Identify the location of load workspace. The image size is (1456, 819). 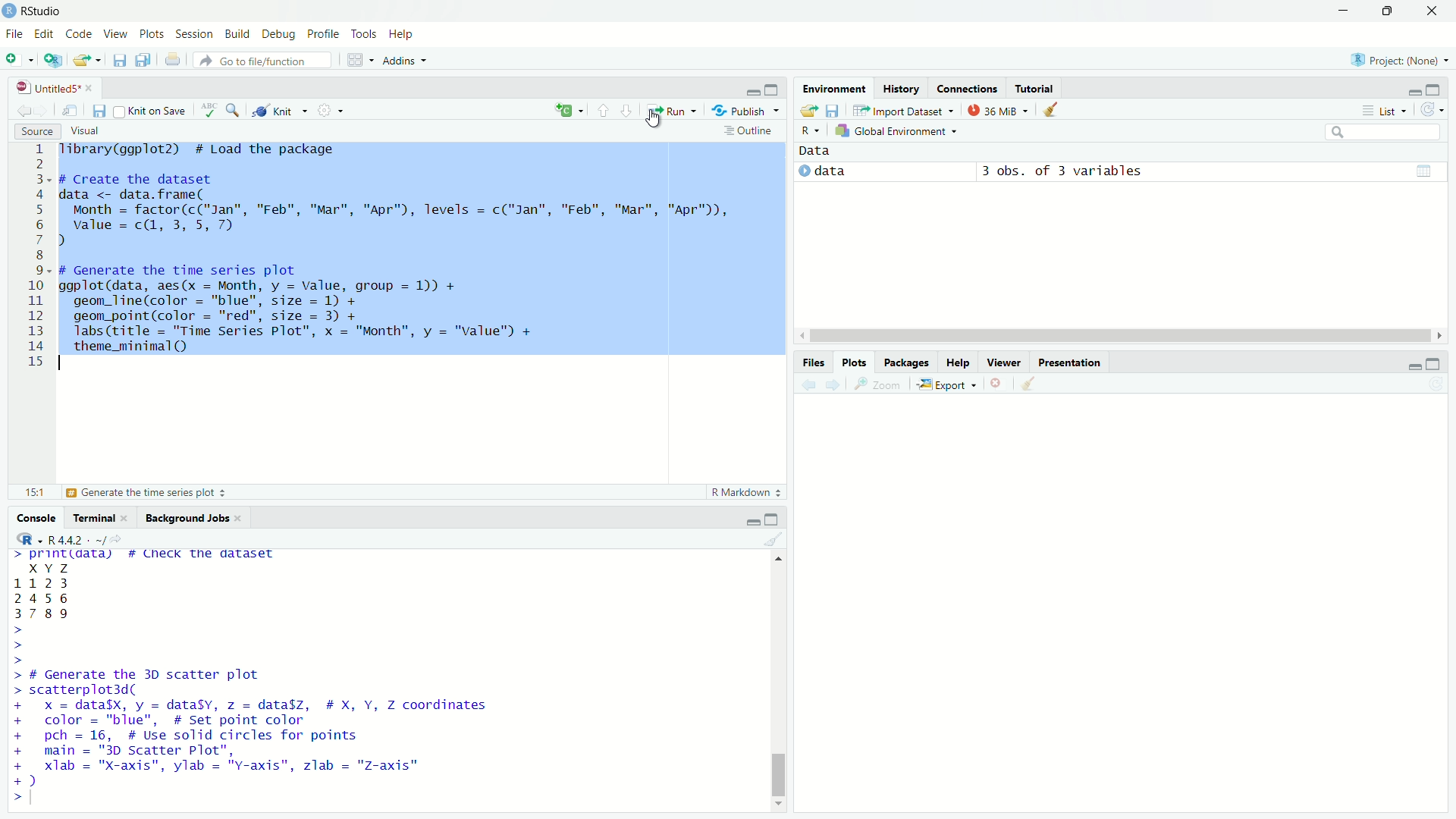
(808, 111).